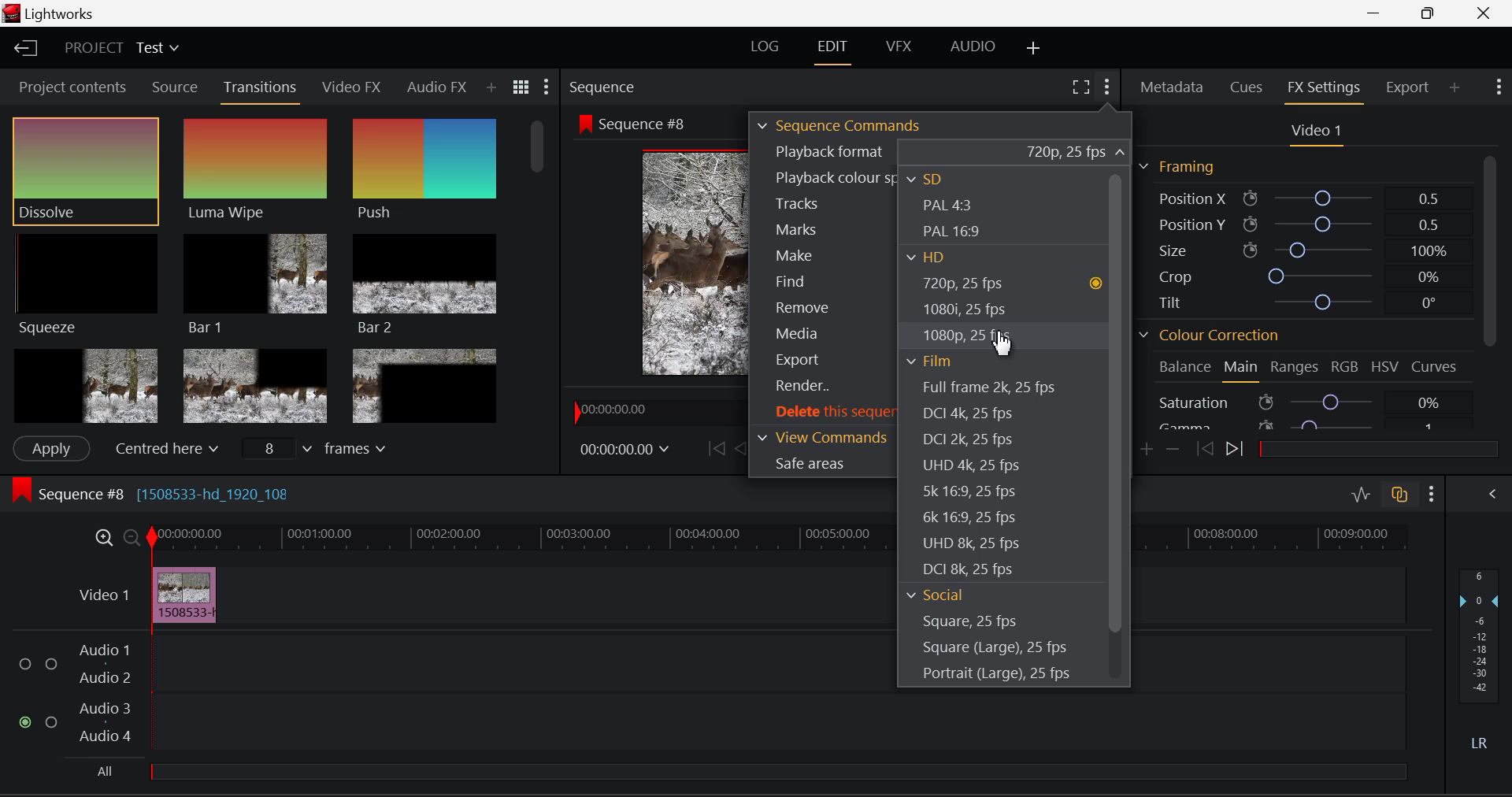 This screenshot has height=797, width=1512. What do you see at coordinates (254, 170) in the screenshot?
I see `Luma Wipe` at bounding box center [254, 170].